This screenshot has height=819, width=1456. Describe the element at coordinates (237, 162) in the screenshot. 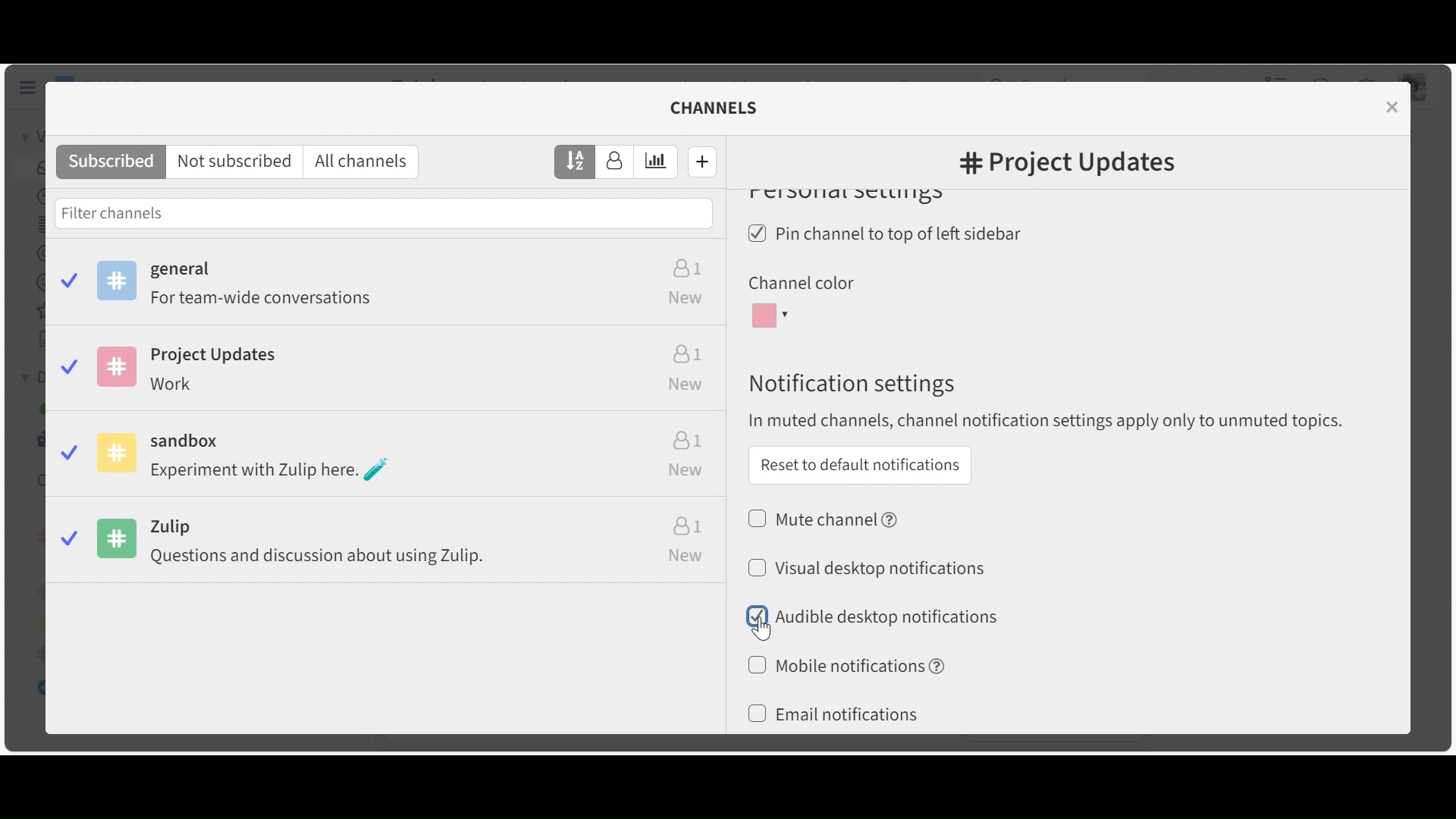

I see `Not subscribed` at that location.